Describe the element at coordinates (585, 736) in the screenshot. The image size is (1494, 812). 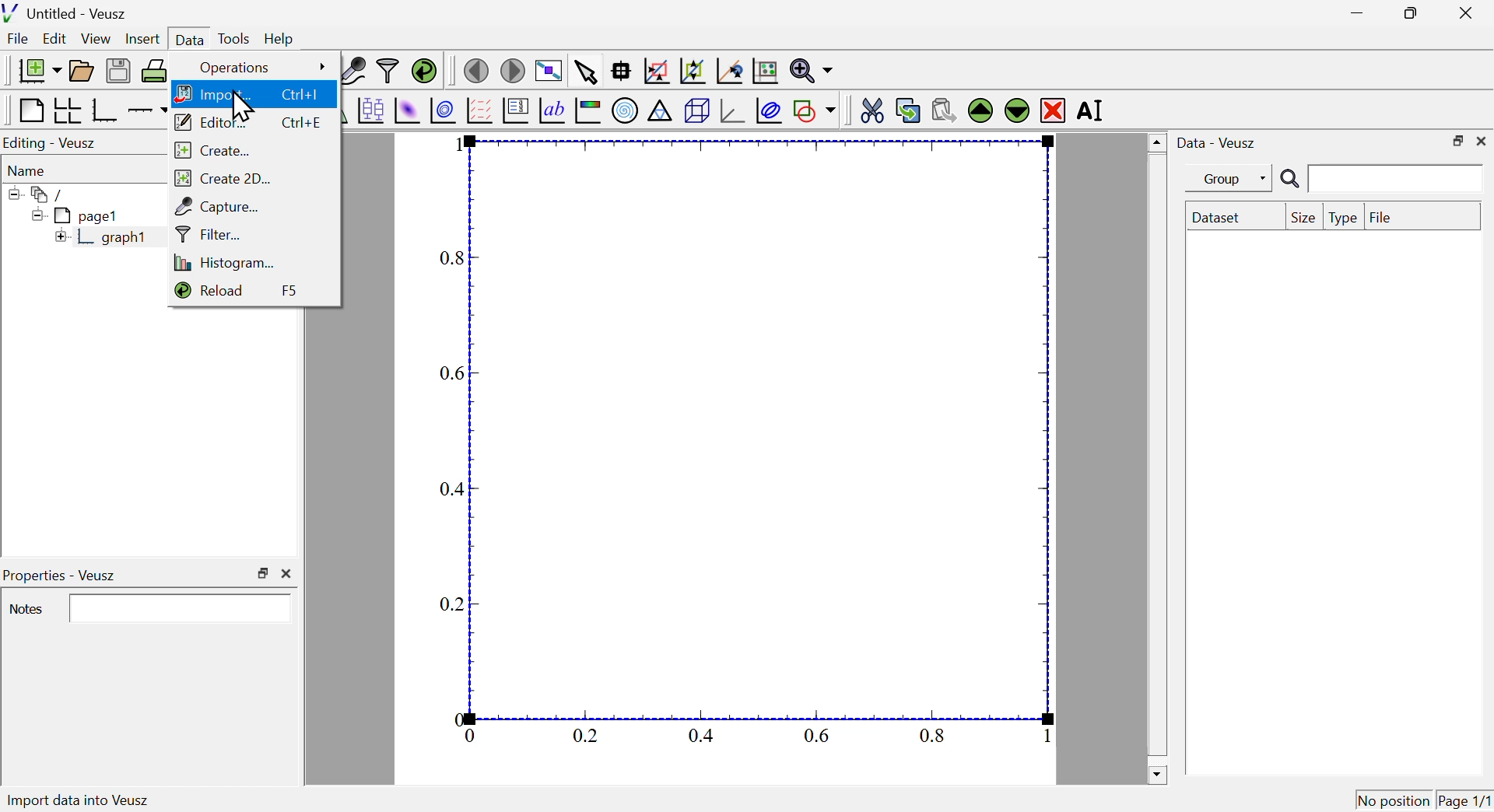
I see `0.2` at that location.